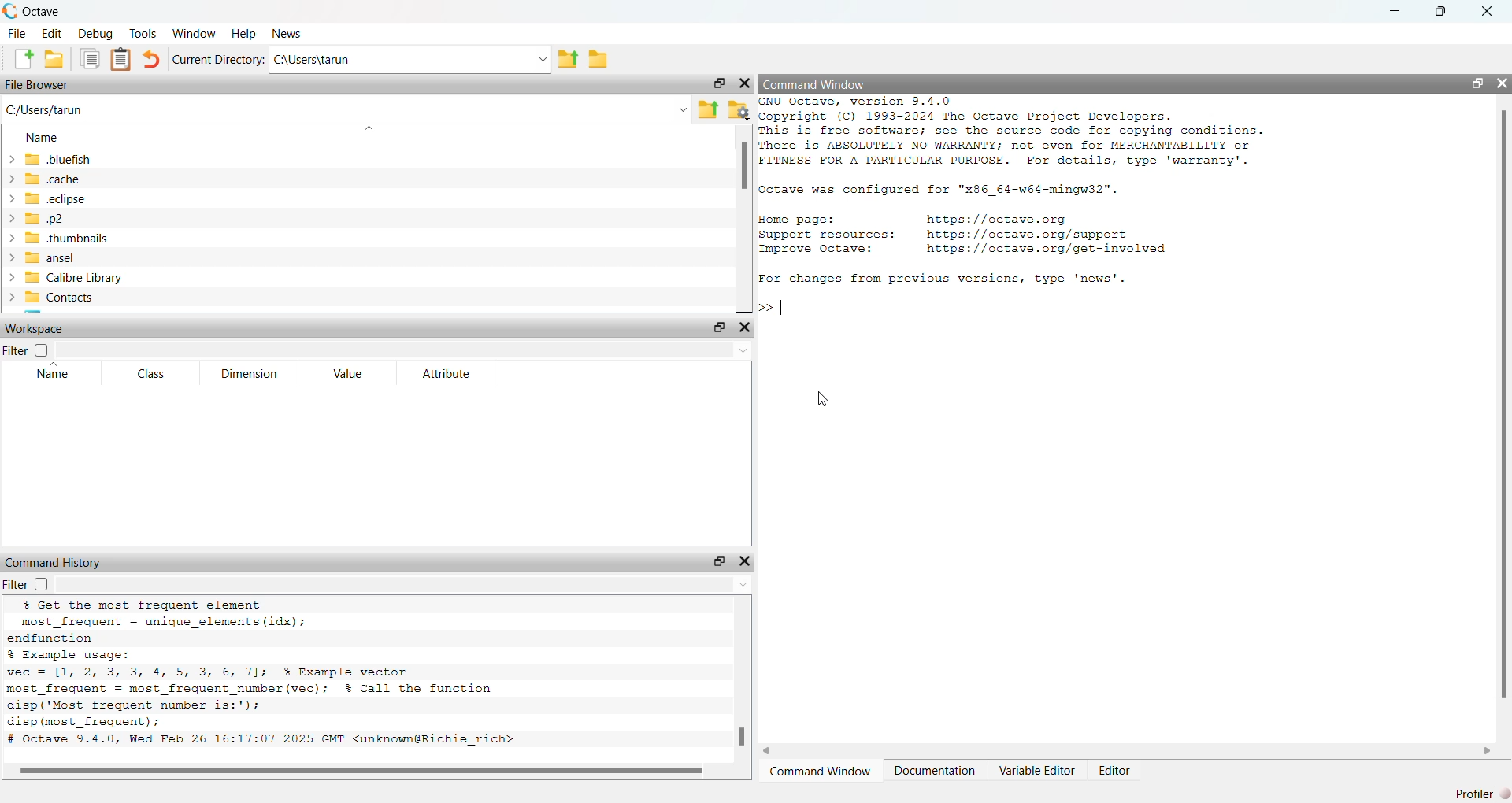 The height and width of the screenshot is (803, 1512). I want to click on Hide Widget, so click(745, 83).